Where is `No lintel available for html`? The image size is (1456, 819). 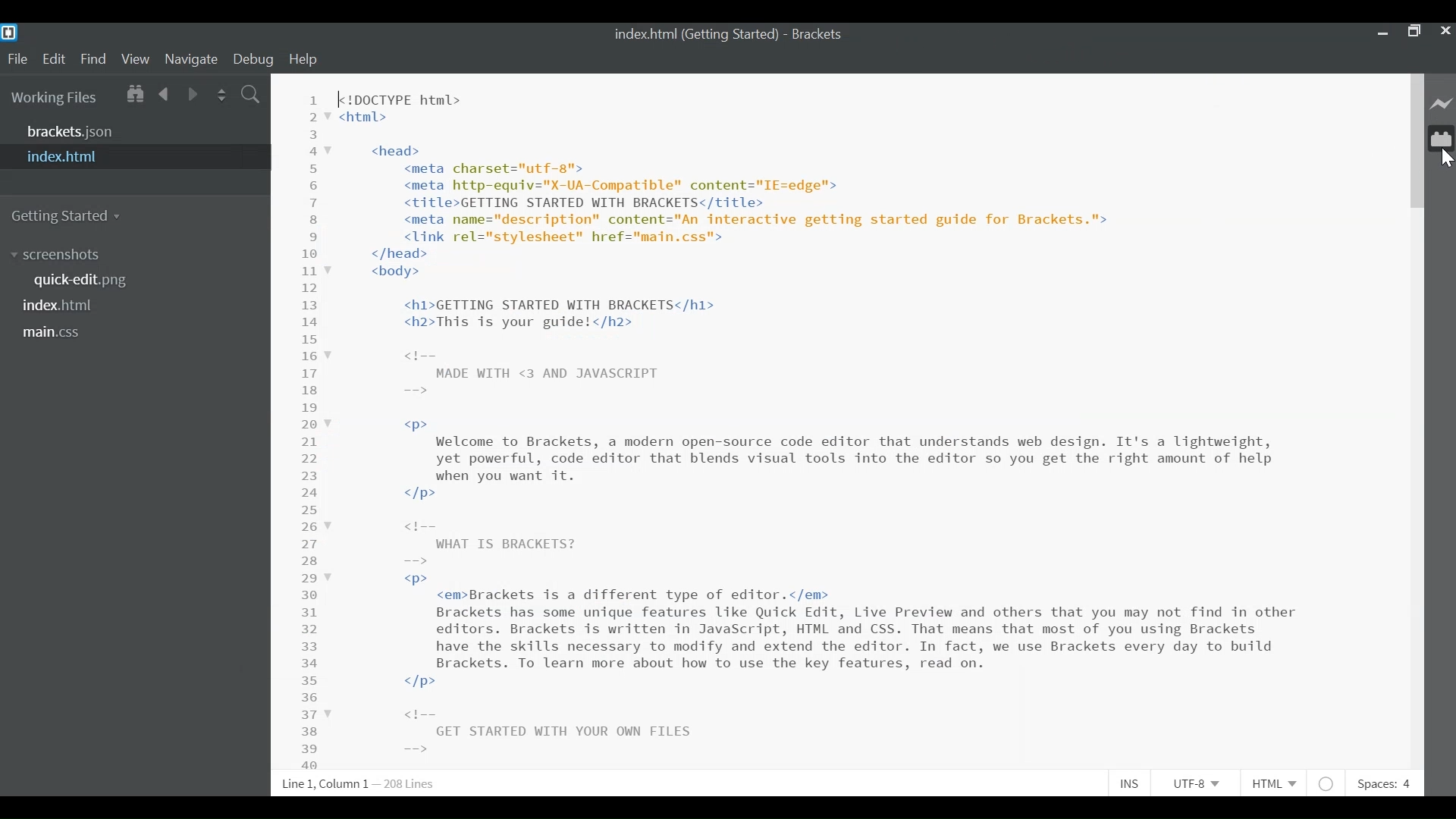
No lintel available for html is located at coordinates (1328, 783).